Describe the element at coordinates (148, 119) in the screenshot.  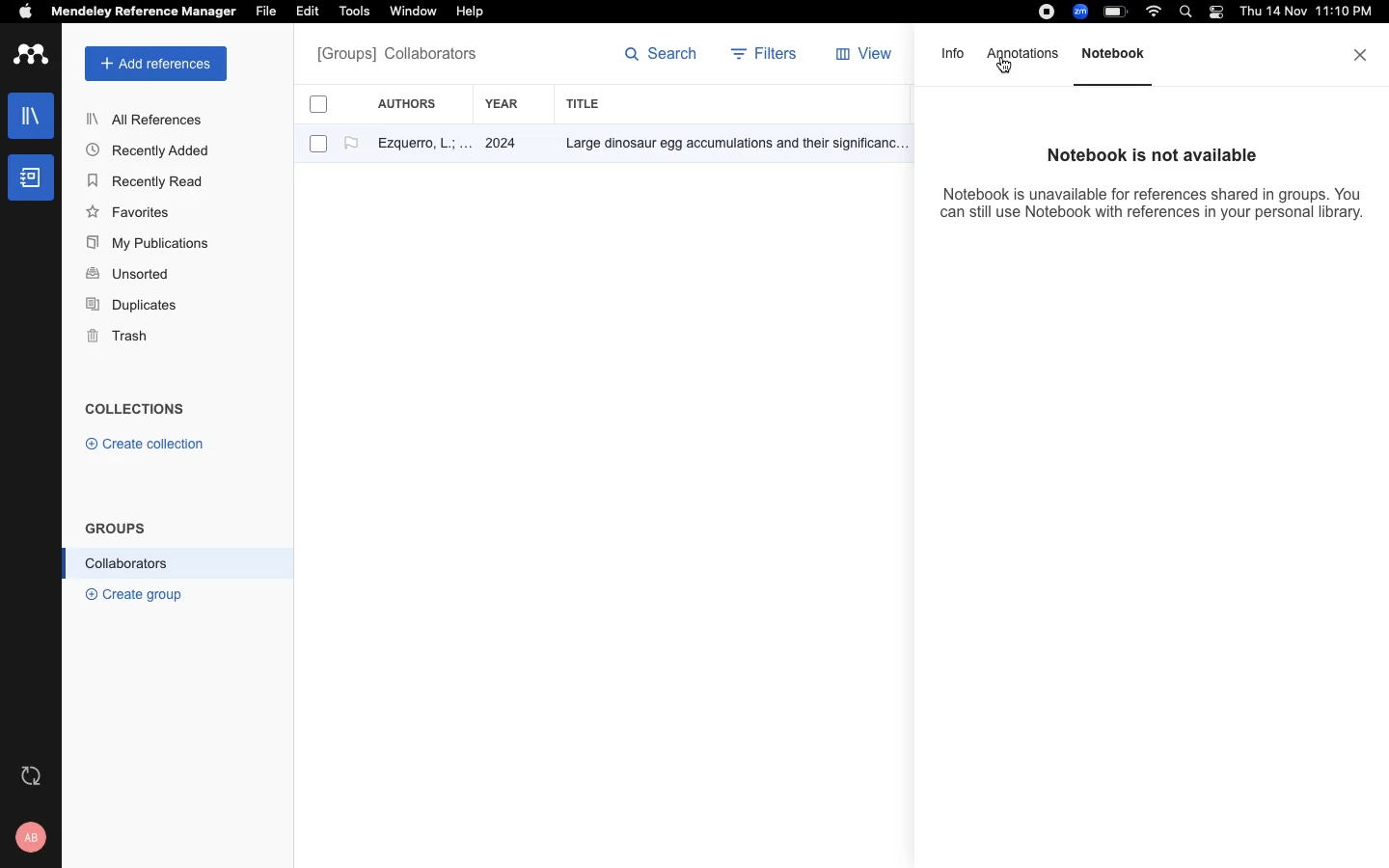
I see `All References` at that location.